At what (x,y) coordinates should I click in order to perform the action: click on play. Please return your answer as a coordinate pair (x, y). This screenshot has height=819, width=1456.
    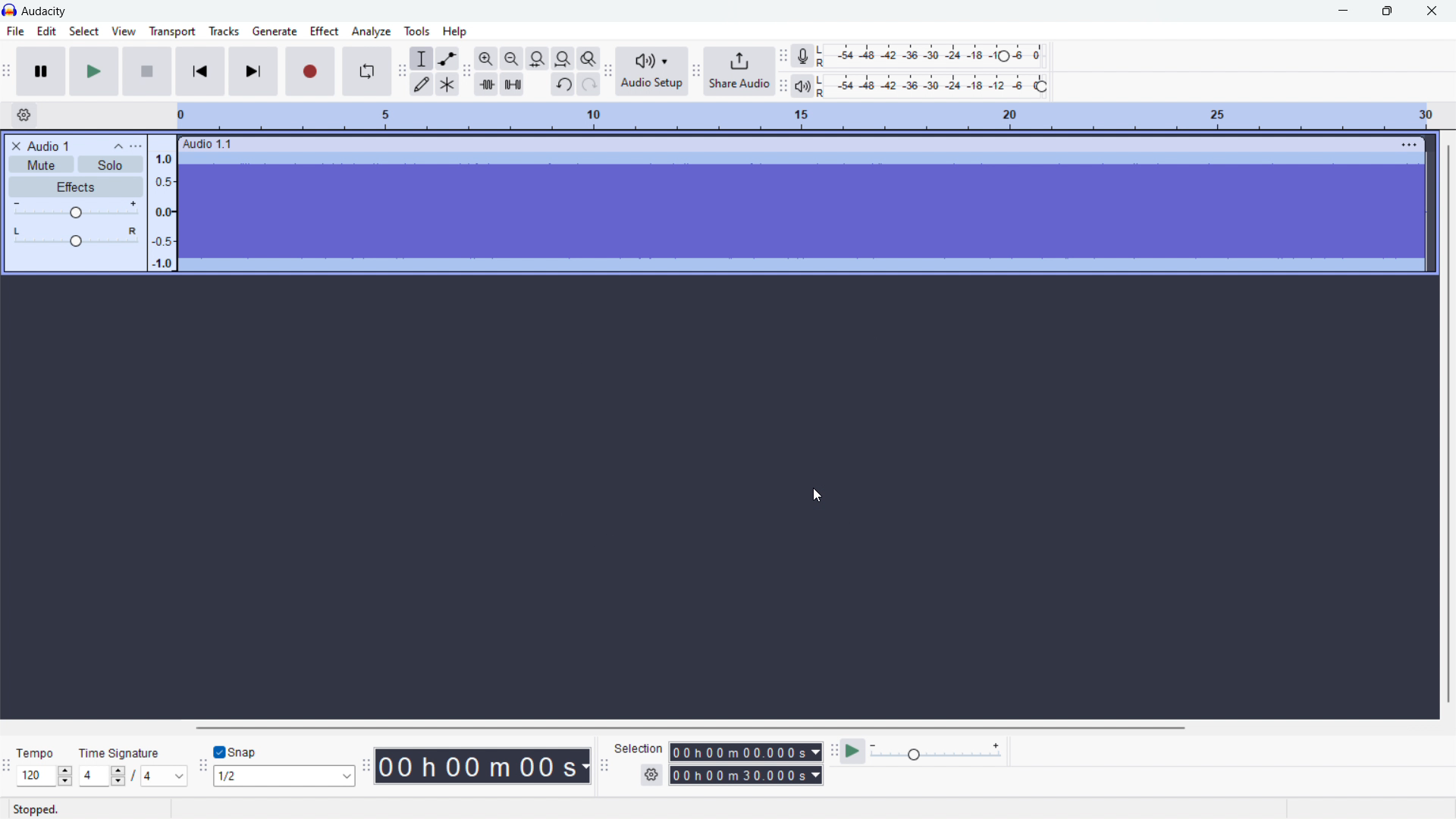
    Looking at the image, I should click on (94, 71).